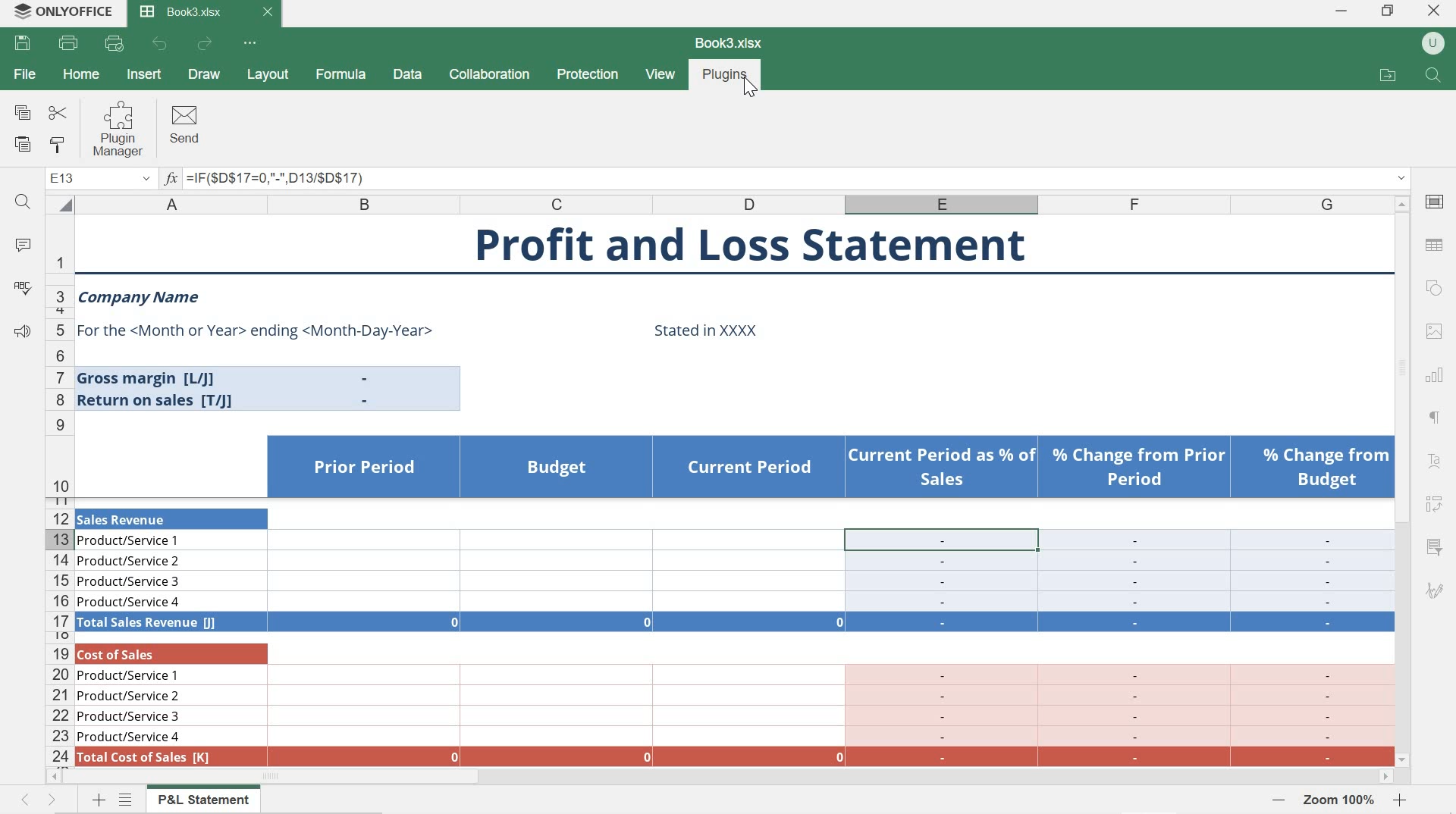 The width and height of the screenshot is (1456, 814). Describe the element at coordinates (130, 543) in the screenshot. I see `Product/Service 1` at that location.